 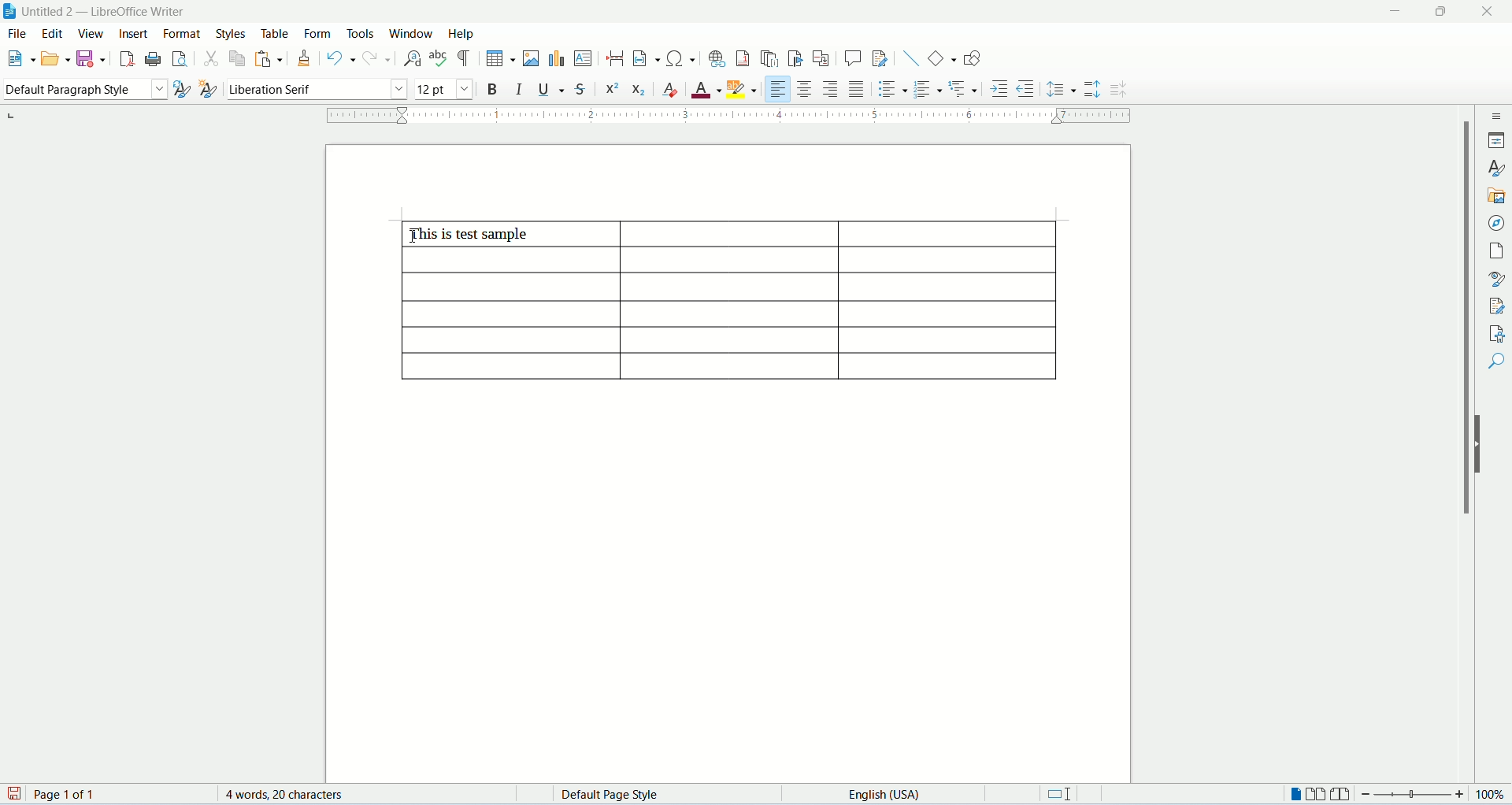 What do you see at coordinates (532, 59) in the screenshot?
I see `insert image` at bounding box center [532, 59].